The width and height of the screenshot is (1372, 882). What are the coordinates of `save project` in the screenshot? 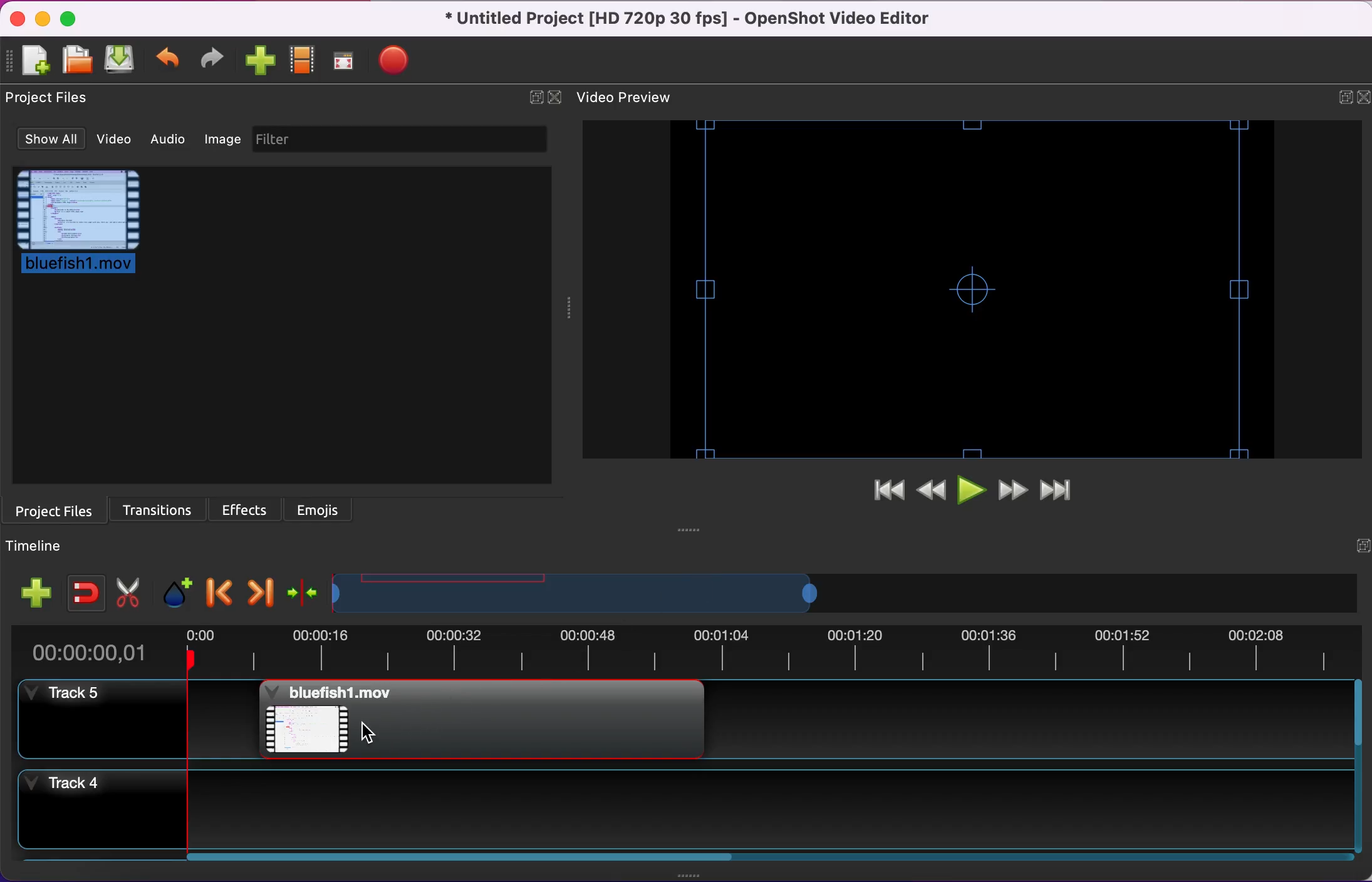 It's located at (122, 60).